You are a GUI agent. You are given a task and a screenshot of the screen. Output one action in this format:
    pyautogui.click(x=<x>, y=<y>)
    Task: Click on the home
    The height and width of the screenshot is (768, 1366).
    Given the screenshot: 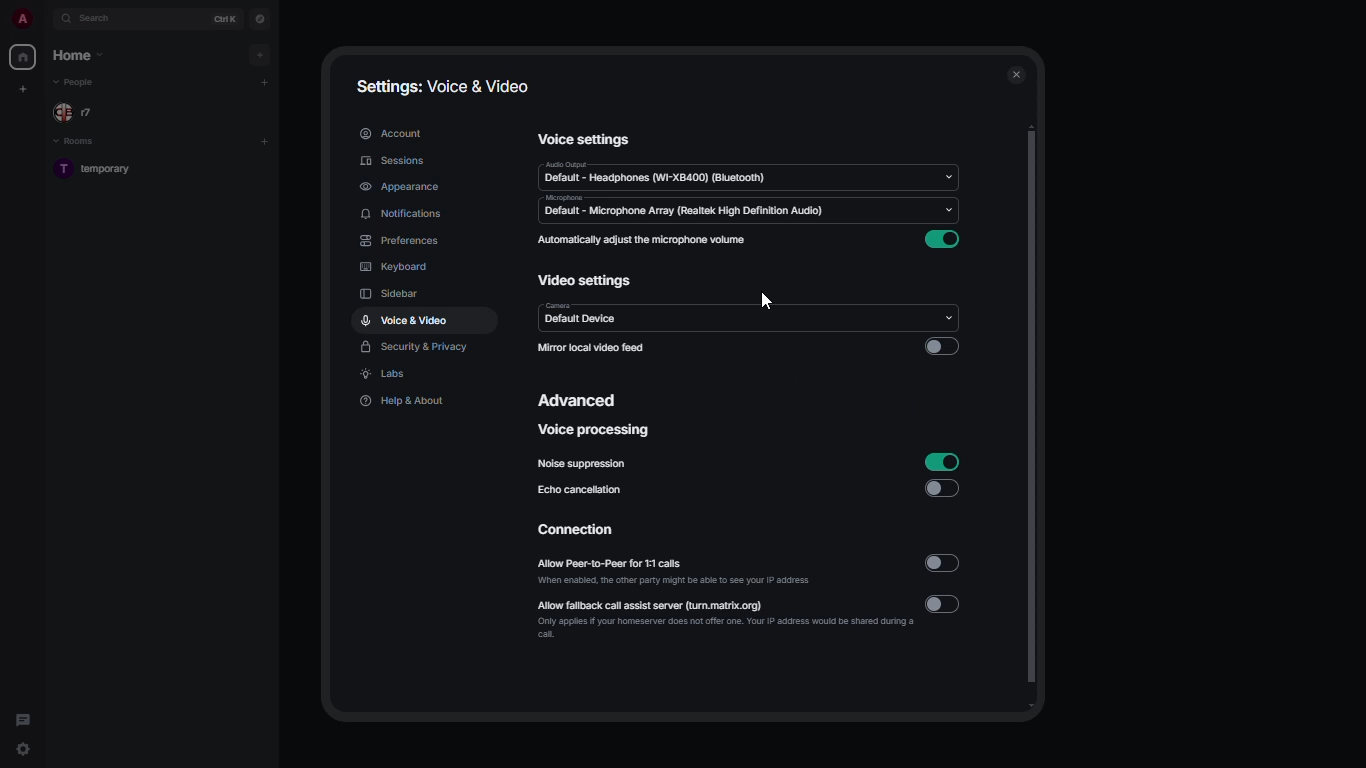 What is the action you would take?
    pyautogui.click(x=22, y=57)
    